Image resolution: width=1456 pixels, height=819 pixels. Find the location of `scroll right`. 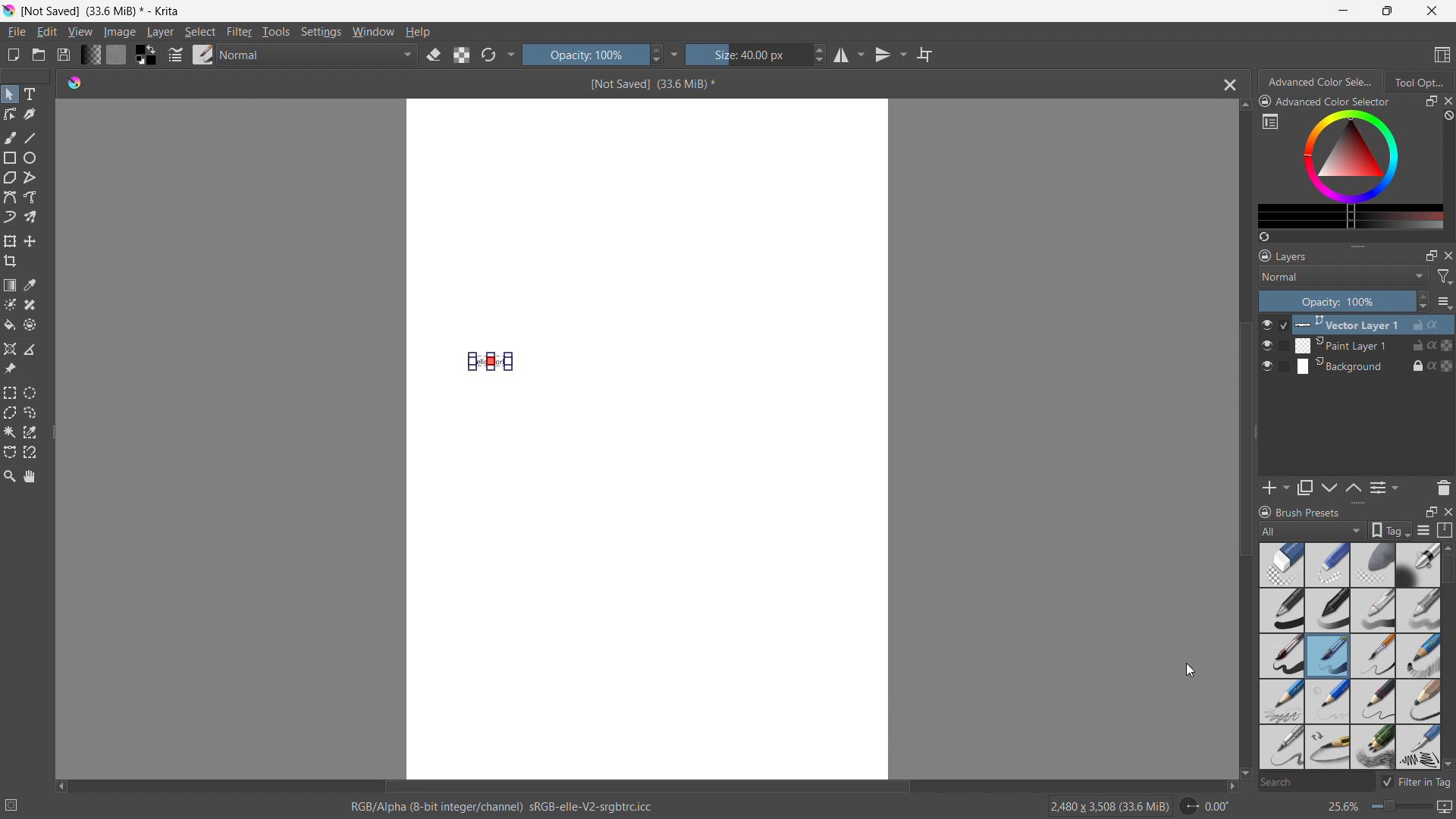

scroll right is located at coordinates (1227, 786).